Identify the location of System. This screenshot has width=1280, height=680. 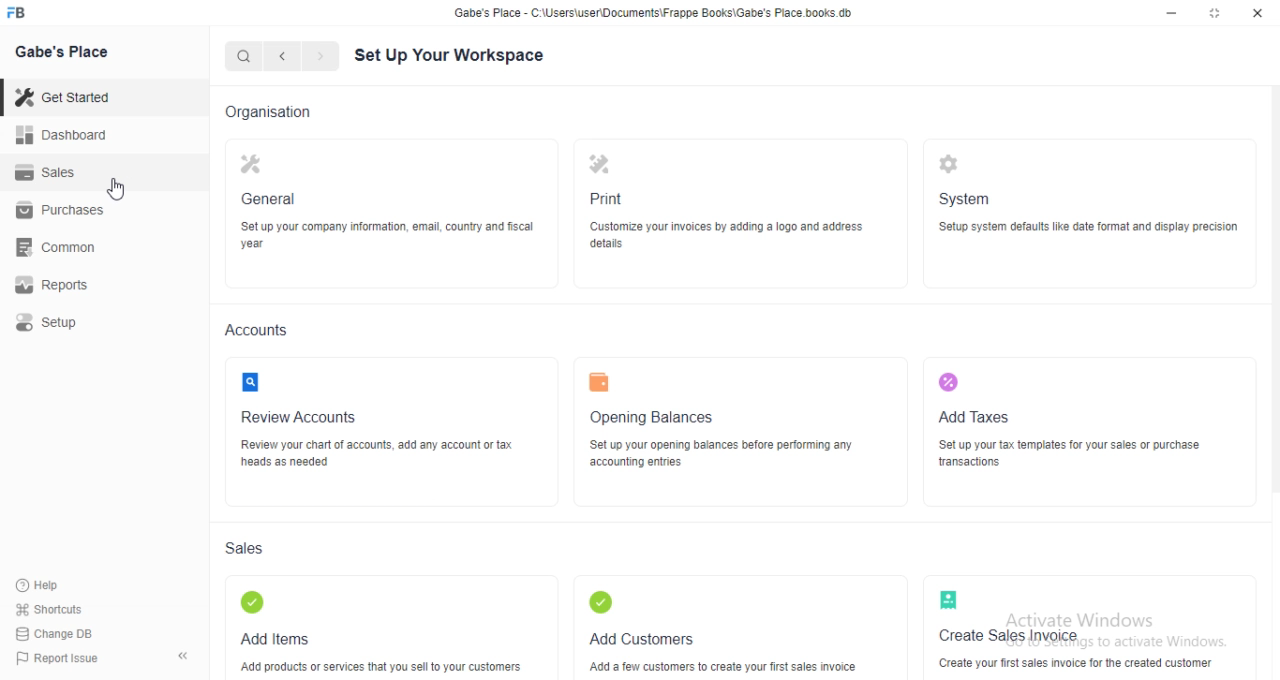
(968, 174).